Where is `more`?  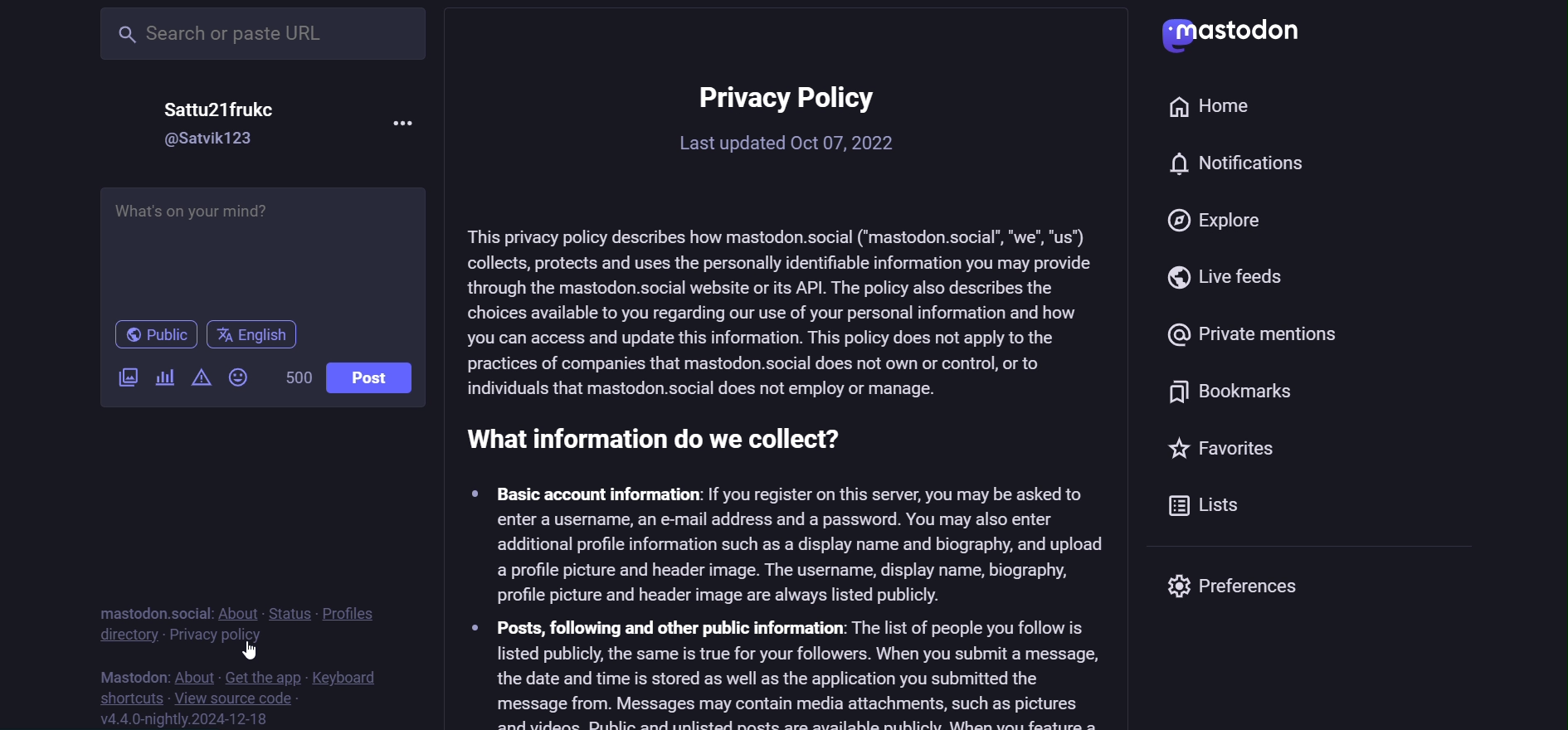
more is located at coordinates (400, 126).